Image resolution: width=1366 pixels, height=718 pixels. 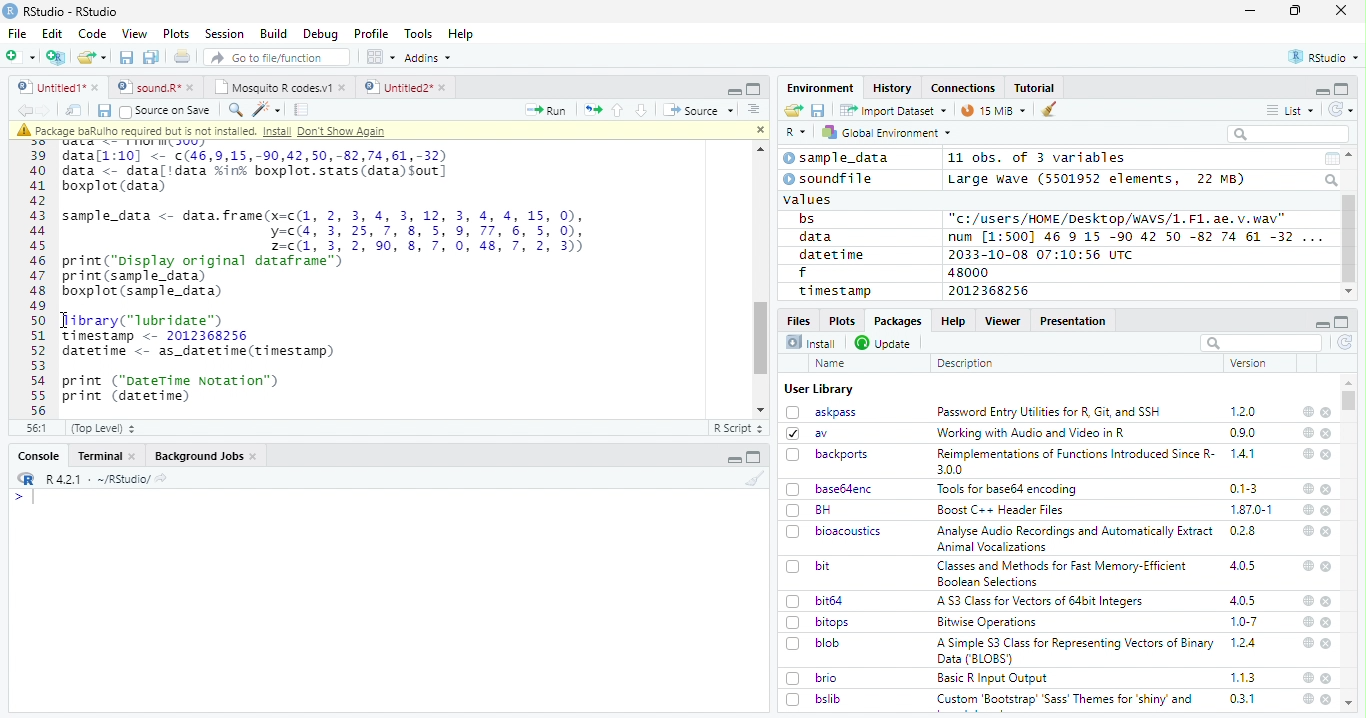 What do you see at coordinates (762, 337) in the screenshot?
I see `scroll bar` at bounding box center [762, 337].